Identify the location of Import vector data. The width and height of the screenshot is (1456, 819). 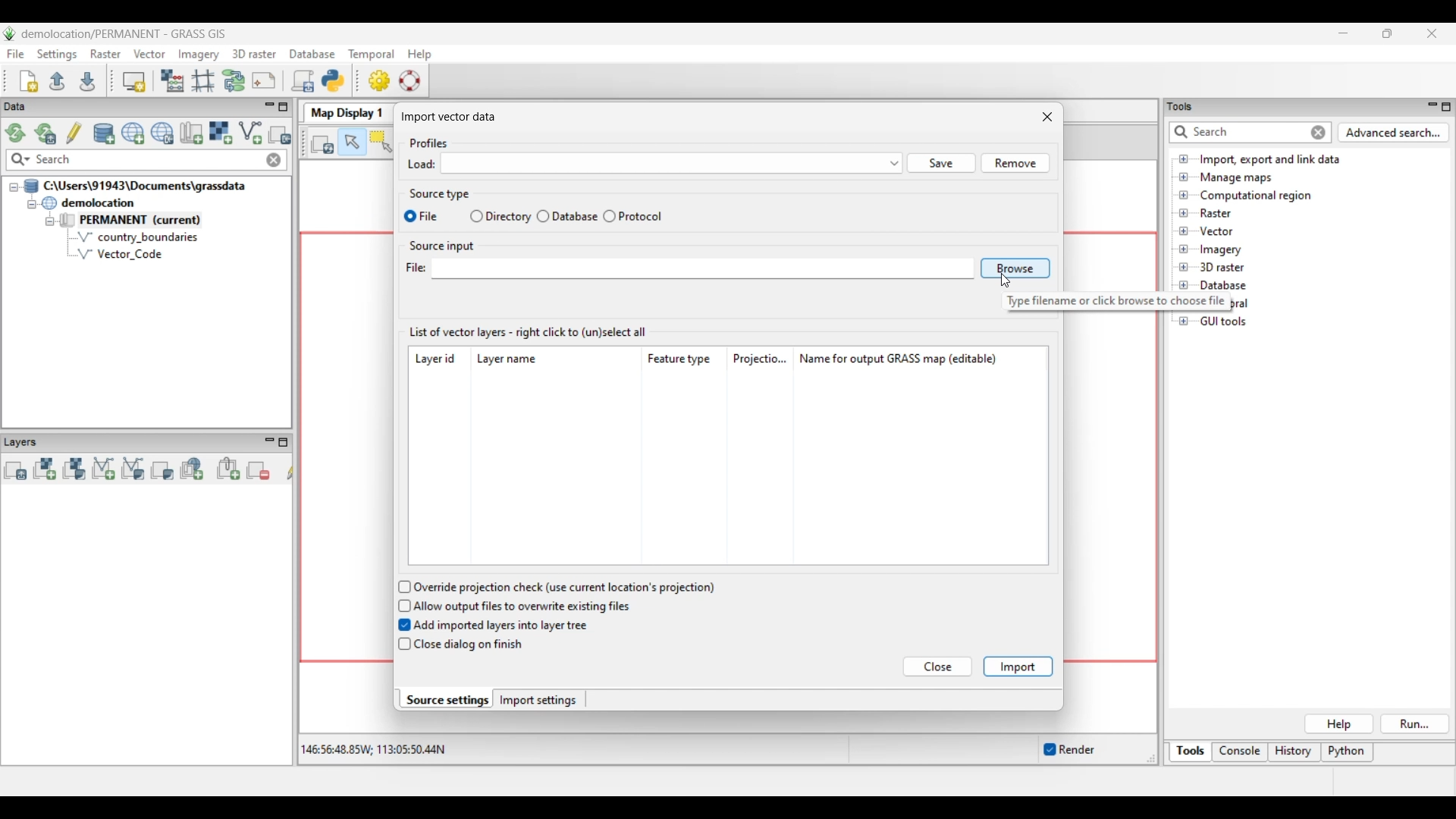
(454, 117).